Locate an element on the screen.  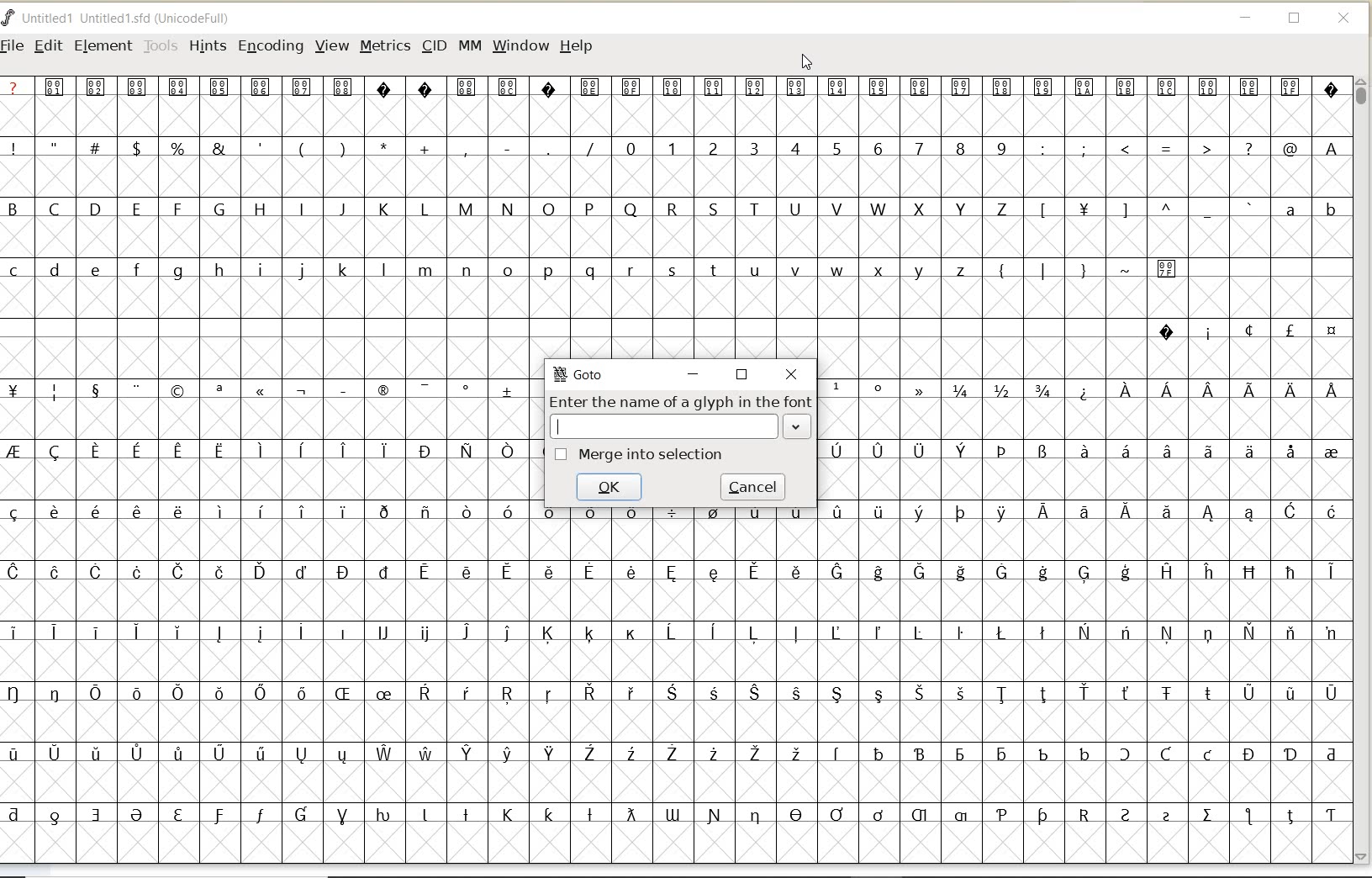
special characters is located at coordinates (1079, 441).